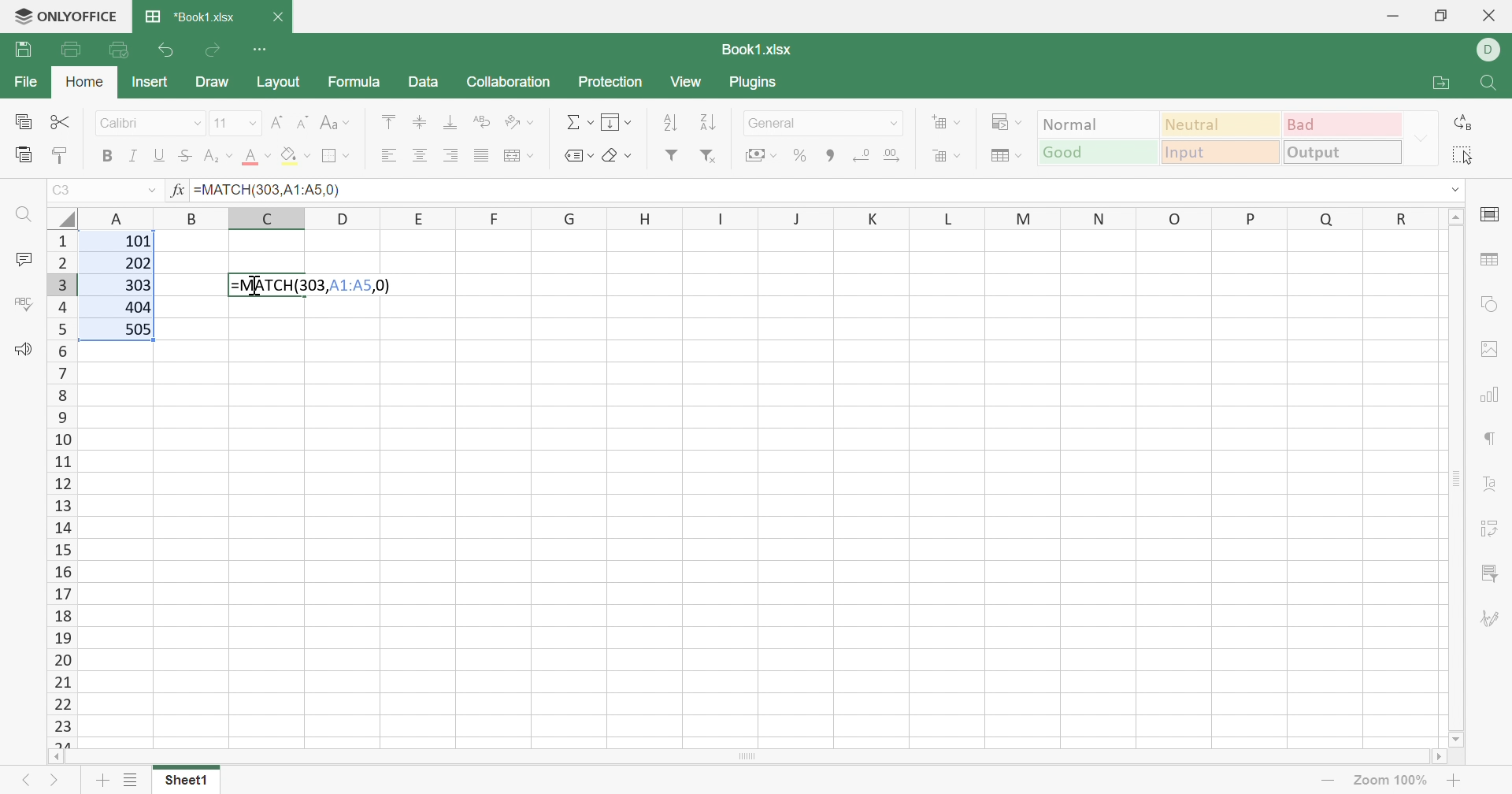 The width and height of the screenshot is (1512, 794). What do you see at coordinates (508, 82) in the screenshot?
I see `Collaboration` at bounding box center [508, 82].